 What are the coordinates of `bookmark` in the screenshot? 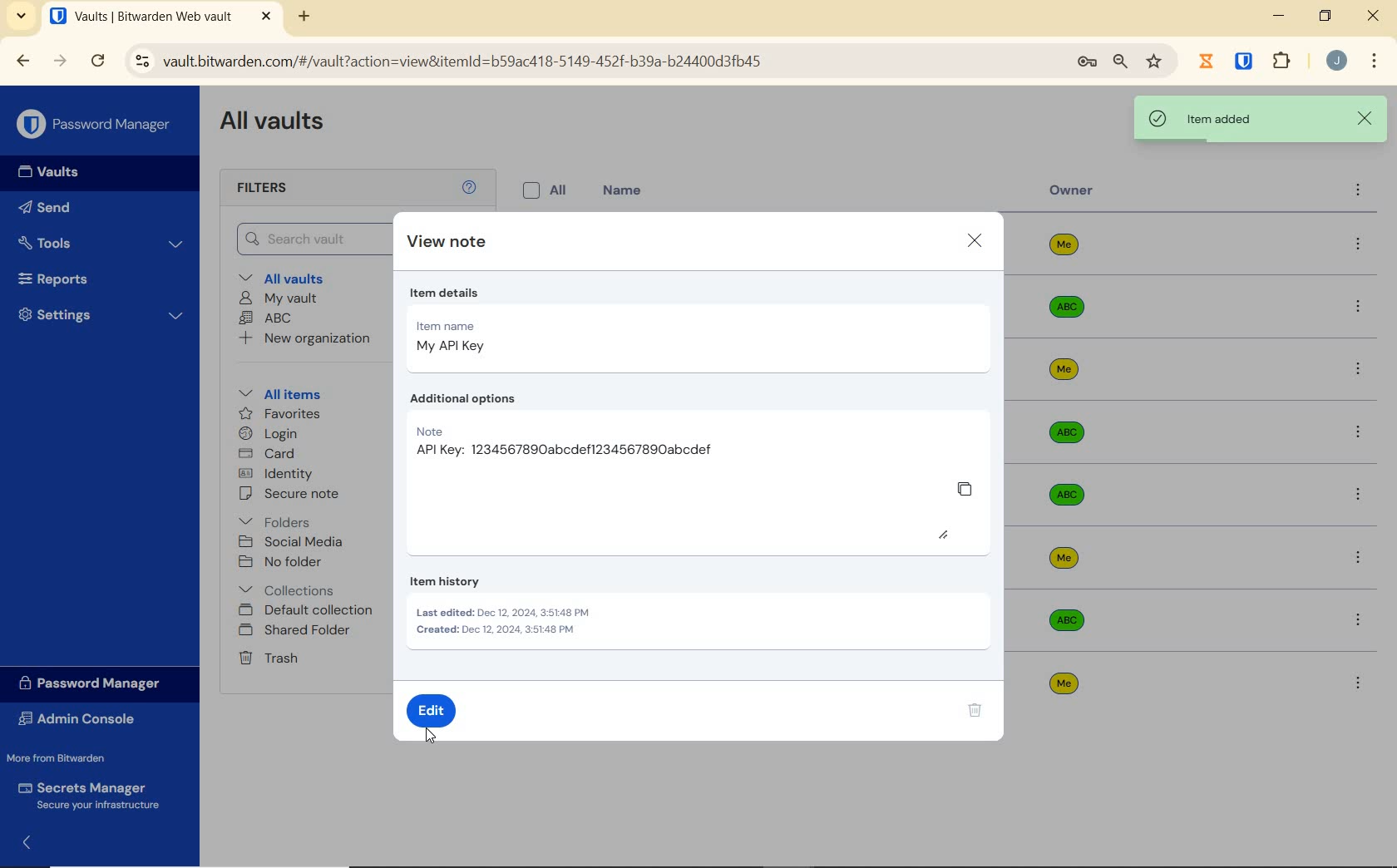 It's located at (1154, 62).